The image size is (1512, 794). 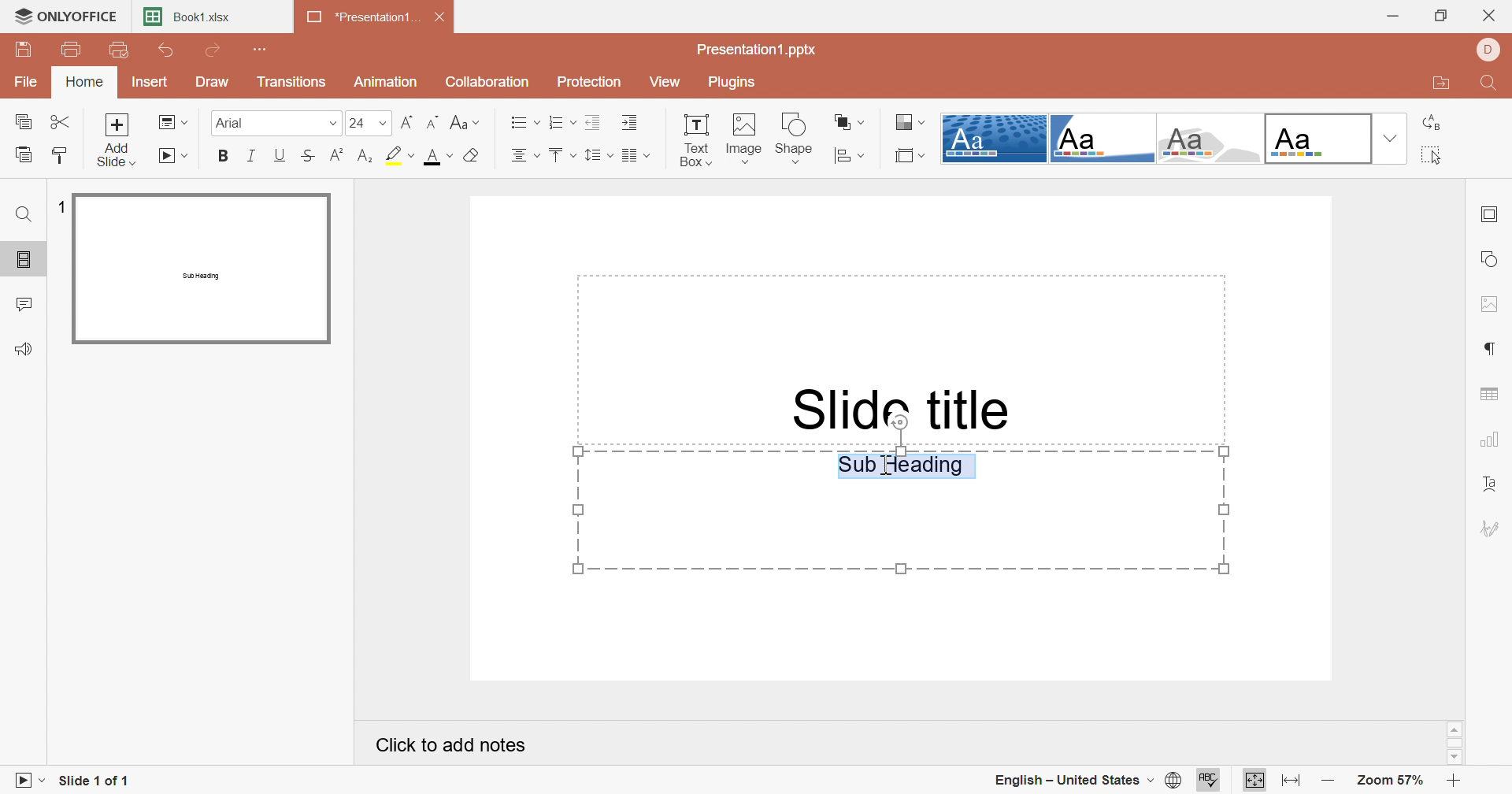 I want to click on Print, so click(x=72, y=49).